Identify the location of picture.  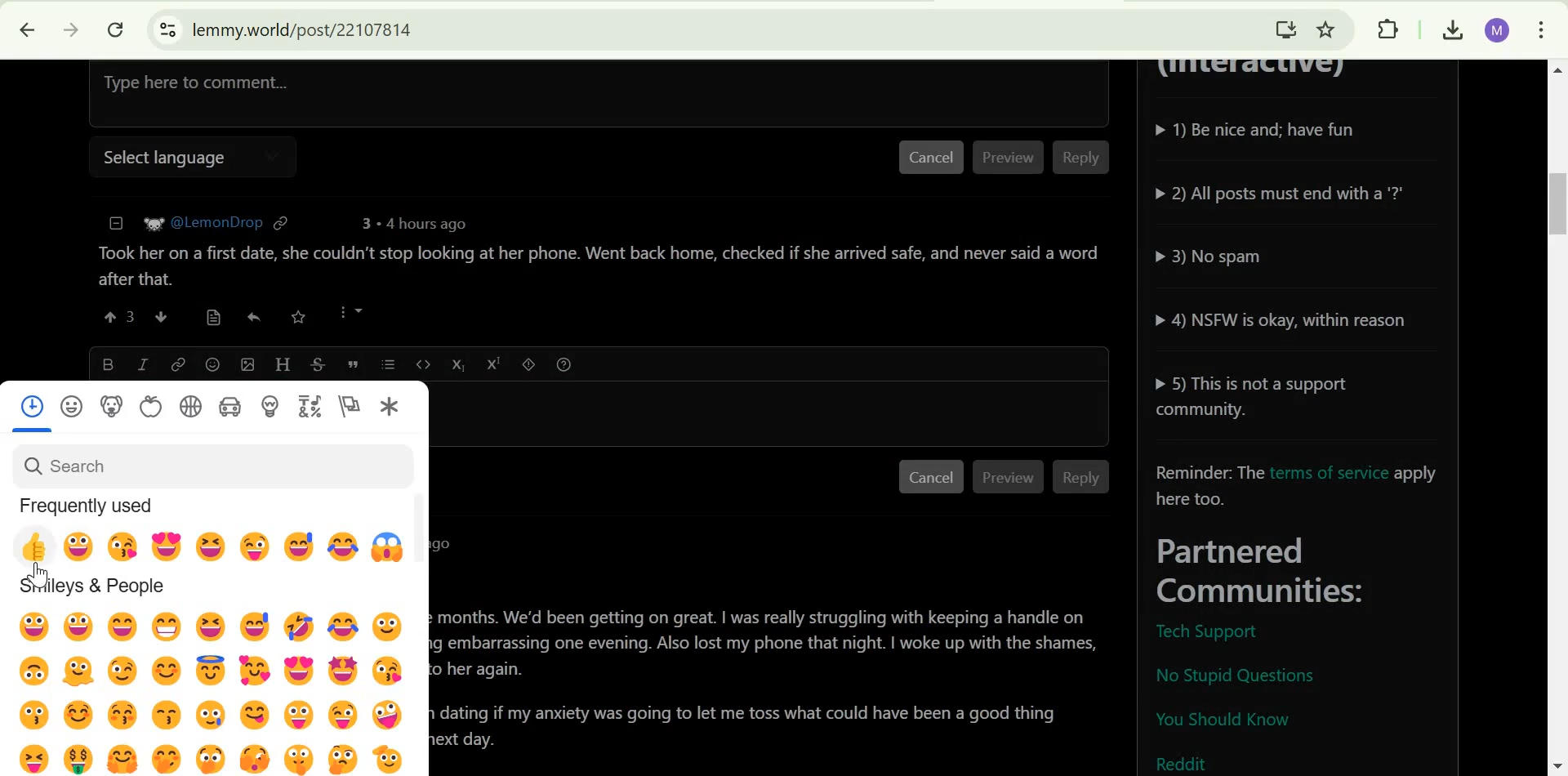
(154, 222).